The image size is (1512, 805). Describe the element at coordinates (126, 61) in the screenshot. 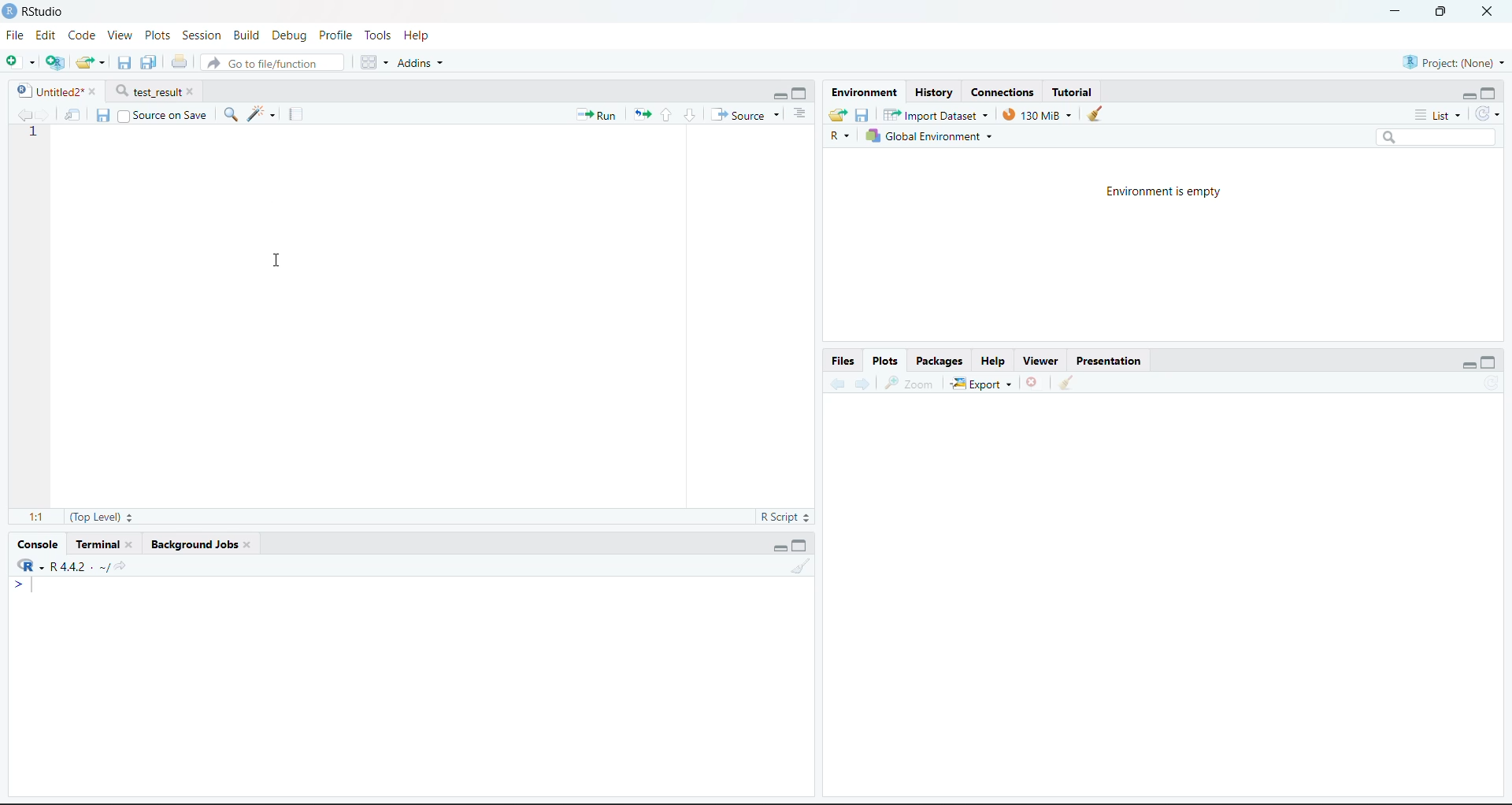

I see `Save current document (Ctrl + S)` at that location.